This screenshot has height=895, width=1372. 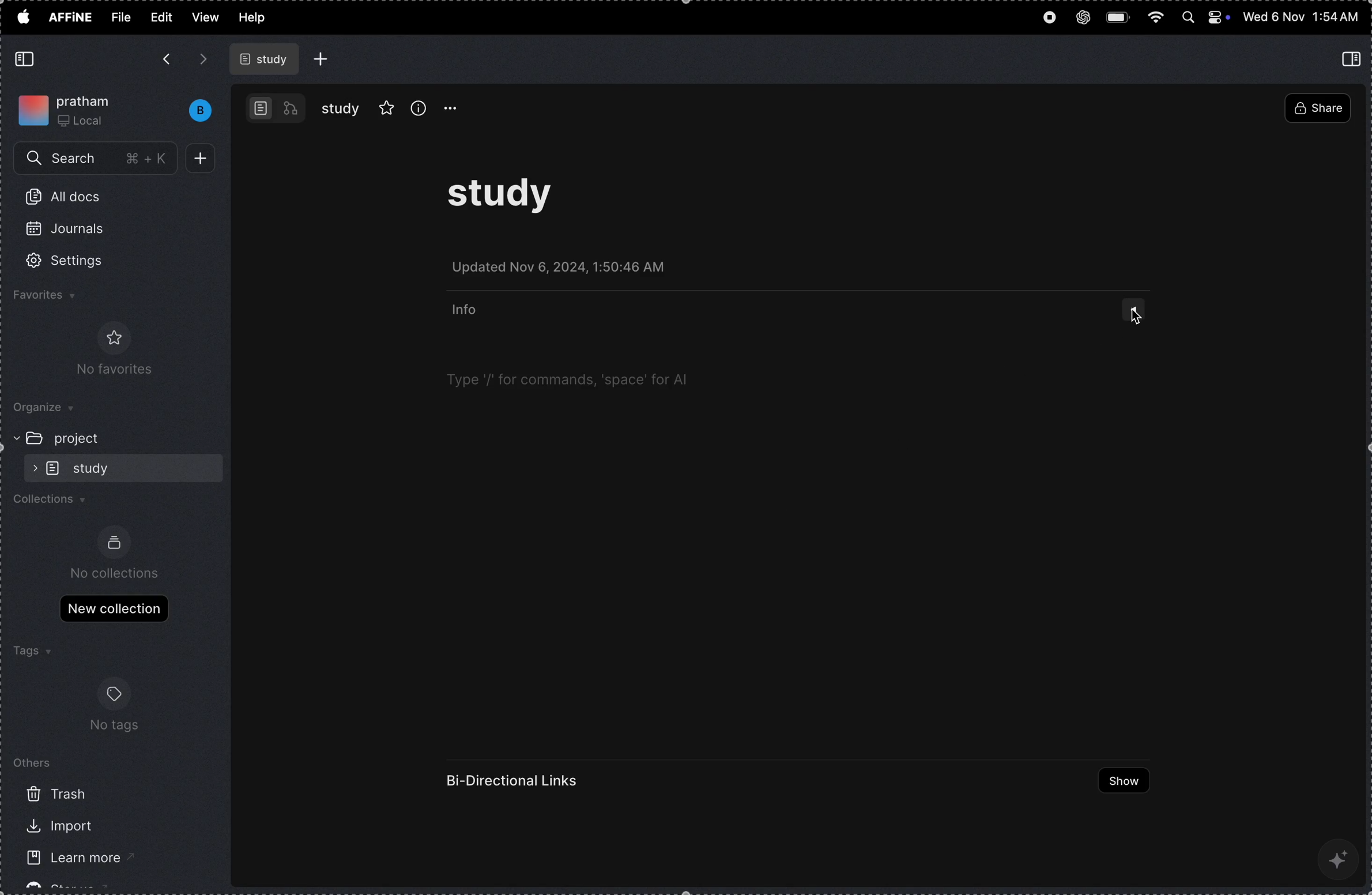 I want to click on collapse side bar, so click(x=1354, y=58).